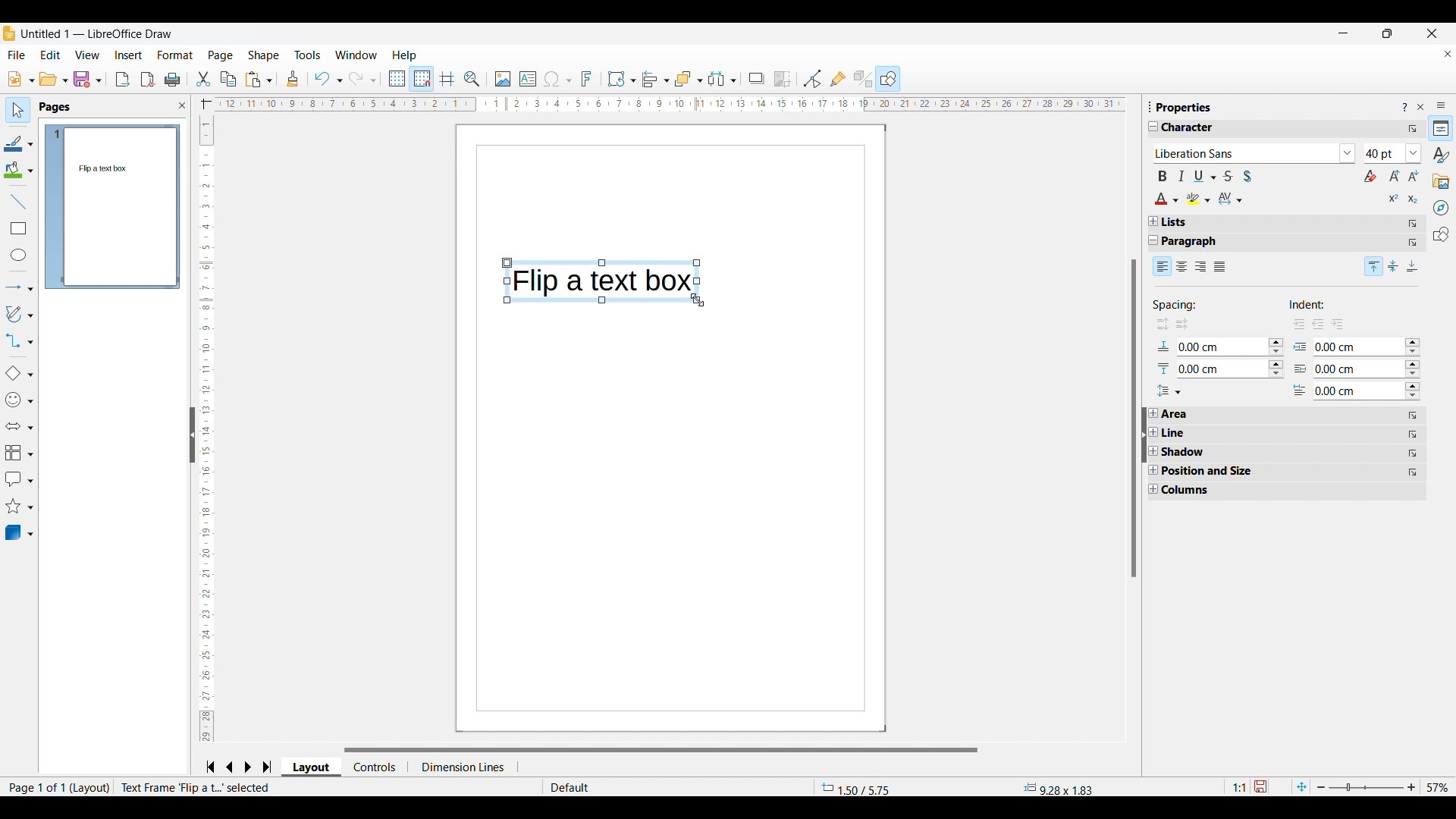 This screenshot has width=1456, height=819. What do you see at coordinates (447, 79) in the screenshot?
I see `Helplines while moving` at bounding box center [447, 79].